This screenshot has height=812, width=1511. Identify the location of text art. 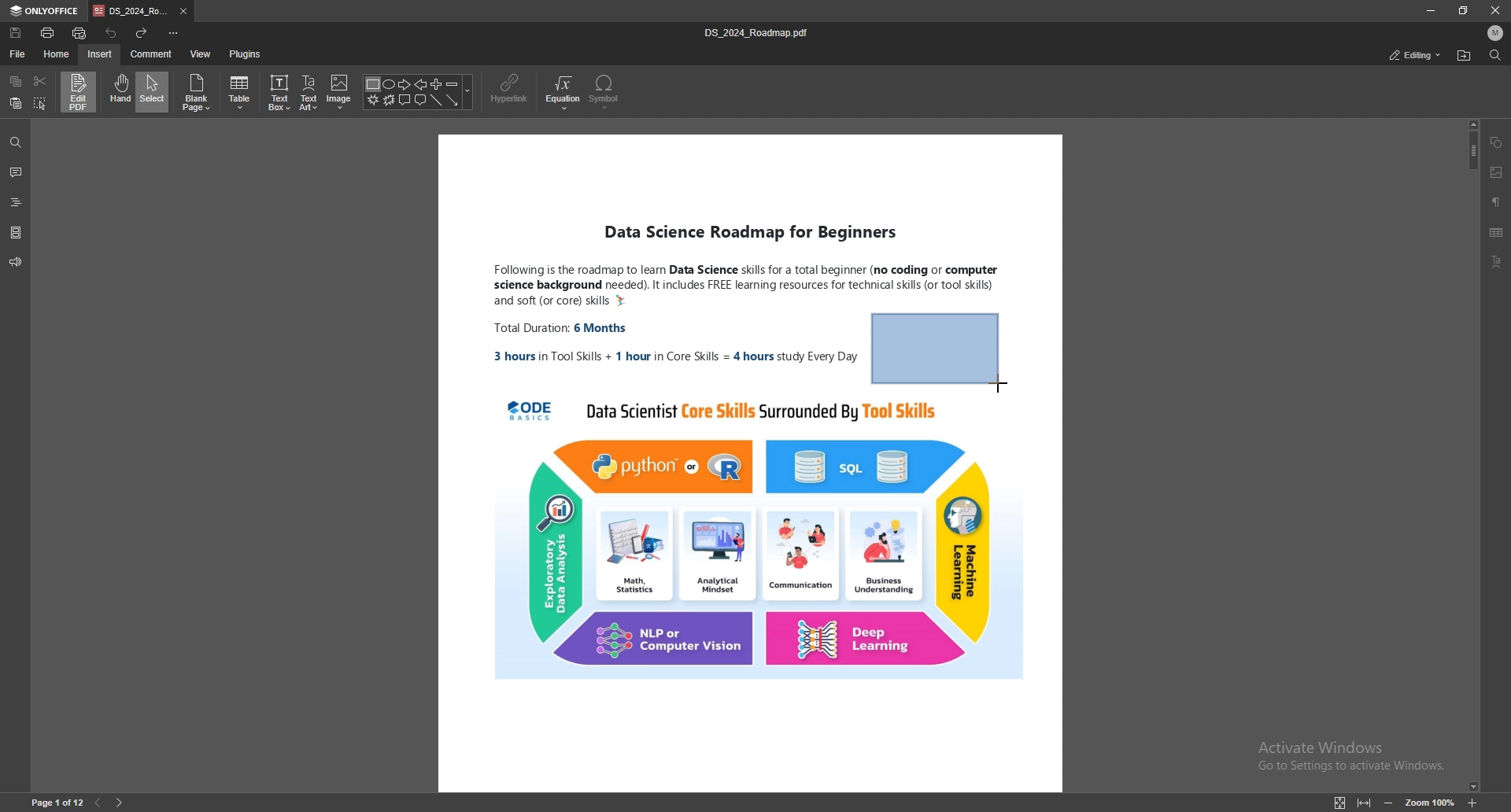
(1501, 261).